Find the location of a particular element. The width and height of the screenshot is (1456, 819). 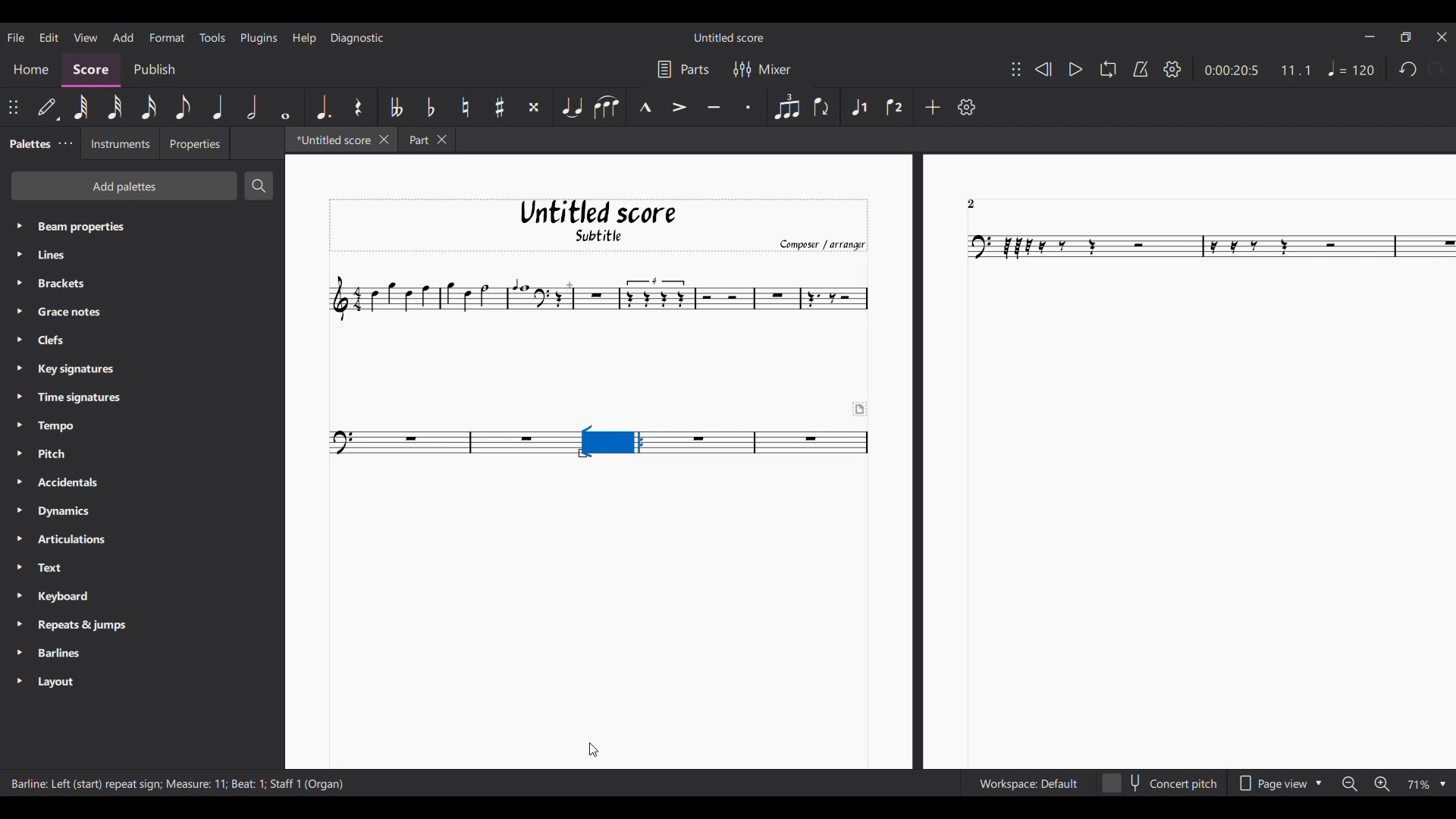

Slur is located at coordinates (606, 107).